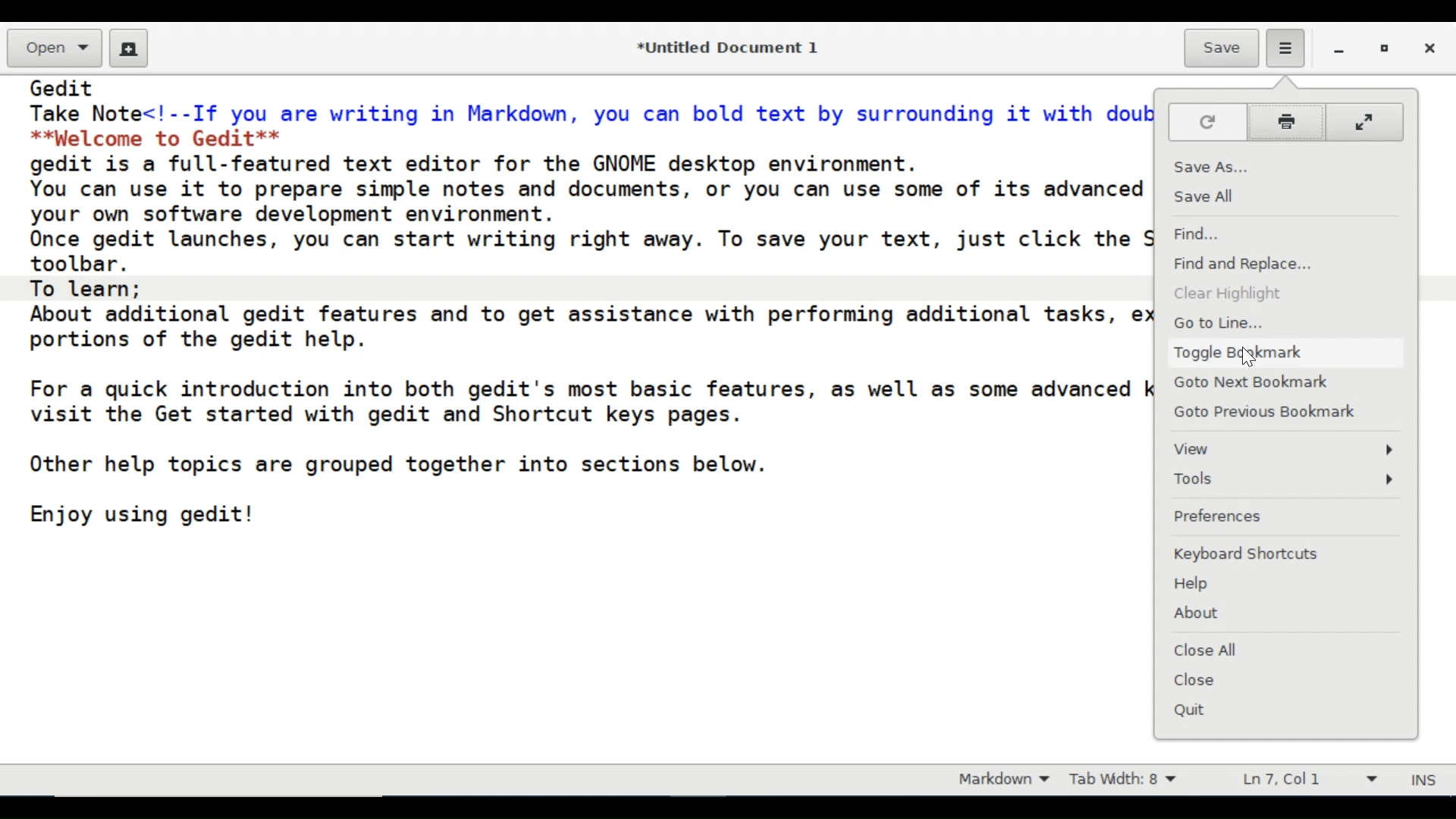 Image resolution: width=1456 pixels, height=819 pixels. I want to click on Goto Next Bookmark, so click(1255, 384).